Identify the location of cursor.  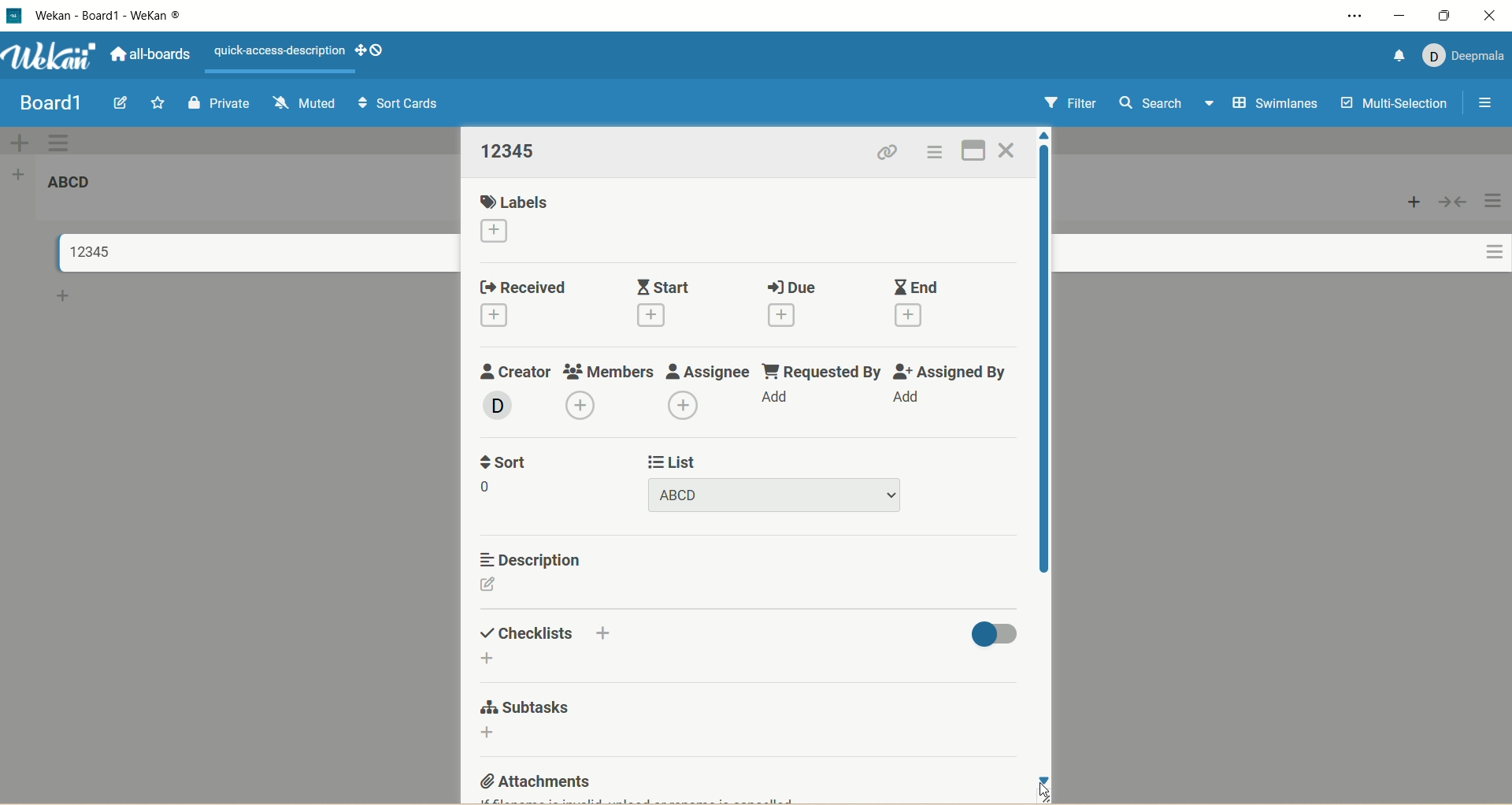
(1050, 793).